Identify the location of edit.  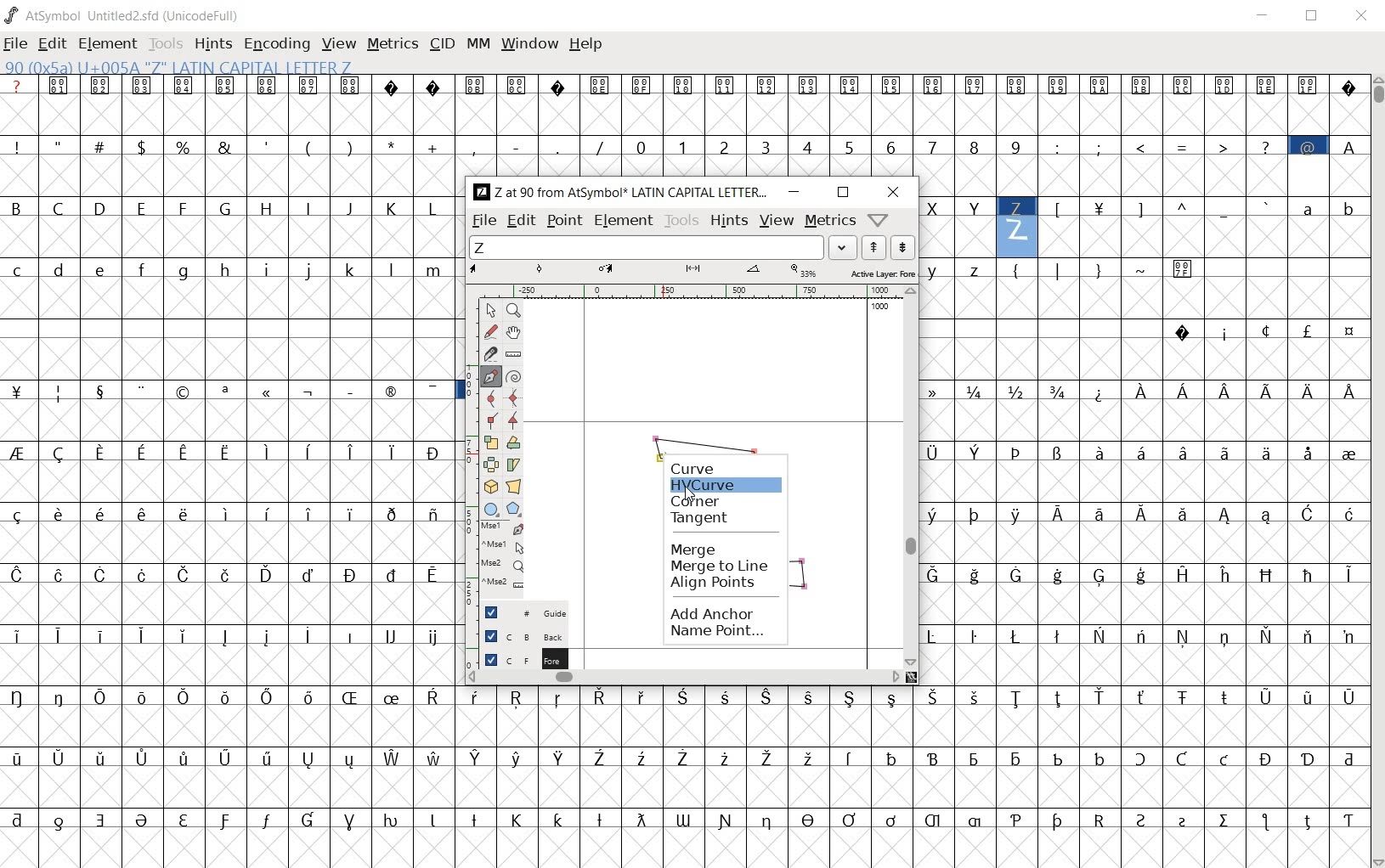
(520, 222).